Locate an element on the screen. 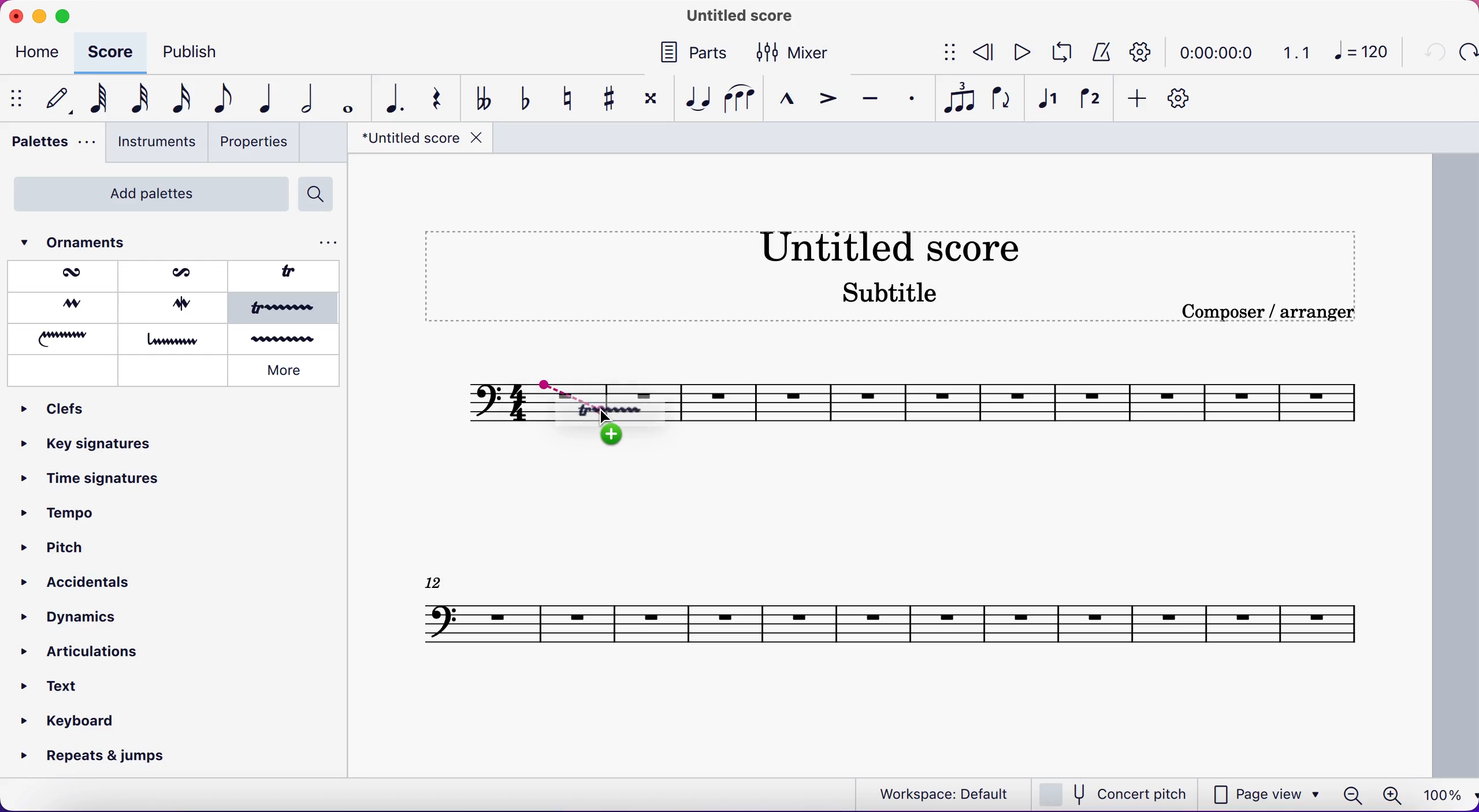  vibrato or shake is located at coordinates (285, 340).